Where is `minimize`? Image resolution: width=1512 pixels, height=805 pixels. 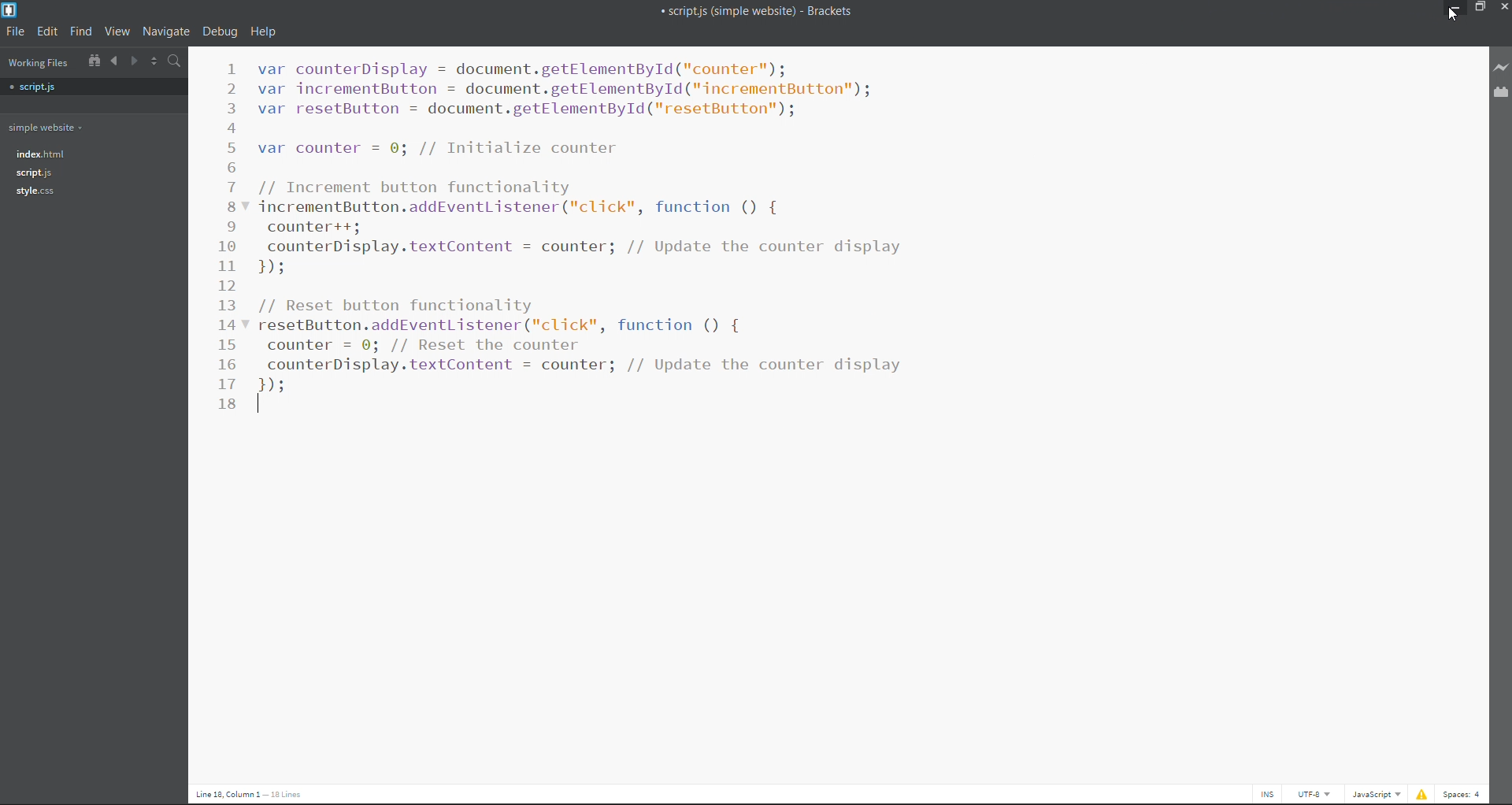 minimize is located at coordinates (1450, 6).